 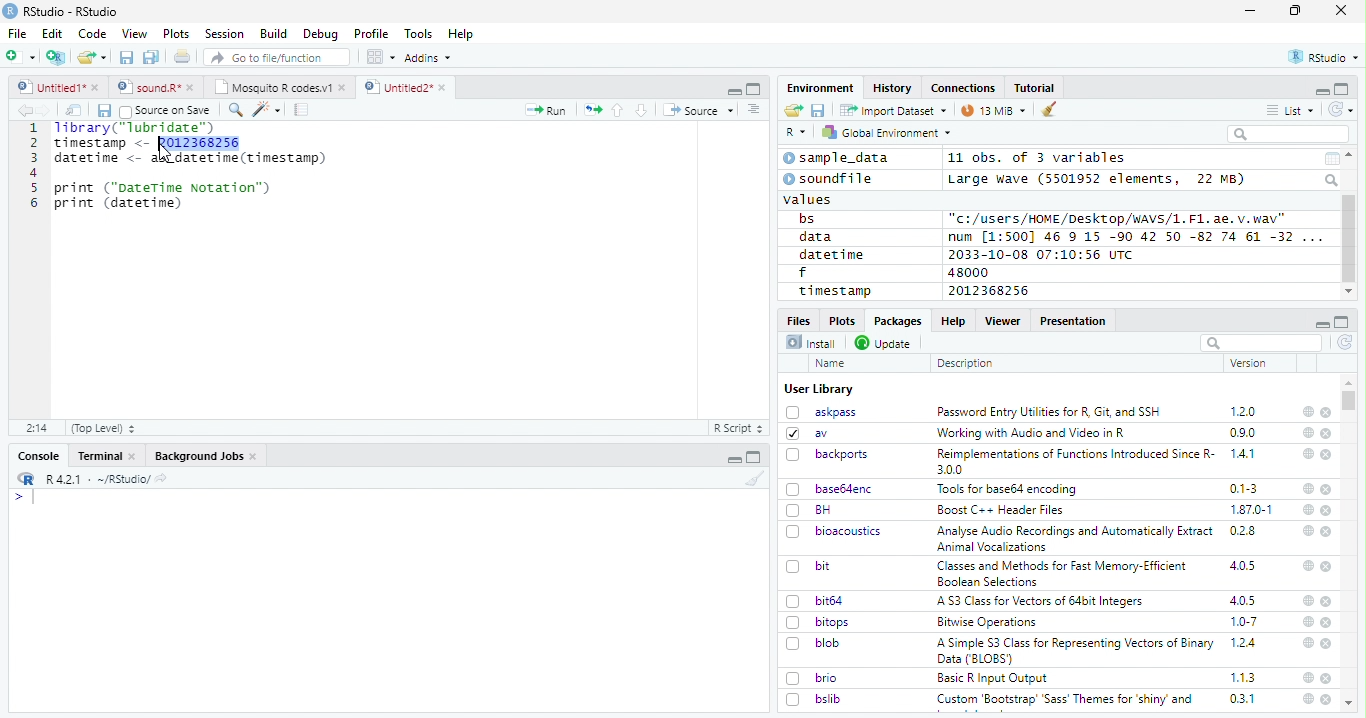 I want to click on sound.R*, so click(x=156, y=88).